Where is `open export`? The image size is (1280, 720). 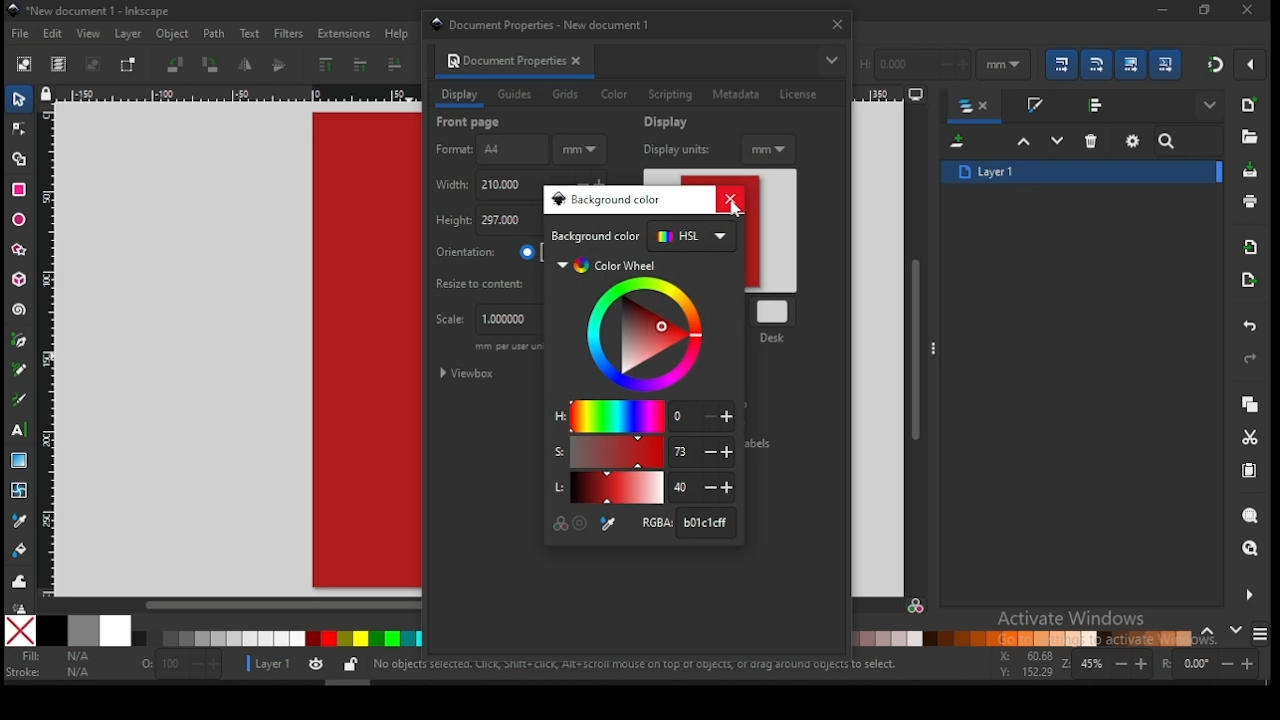
open export is located at coordinates (1248, 279).